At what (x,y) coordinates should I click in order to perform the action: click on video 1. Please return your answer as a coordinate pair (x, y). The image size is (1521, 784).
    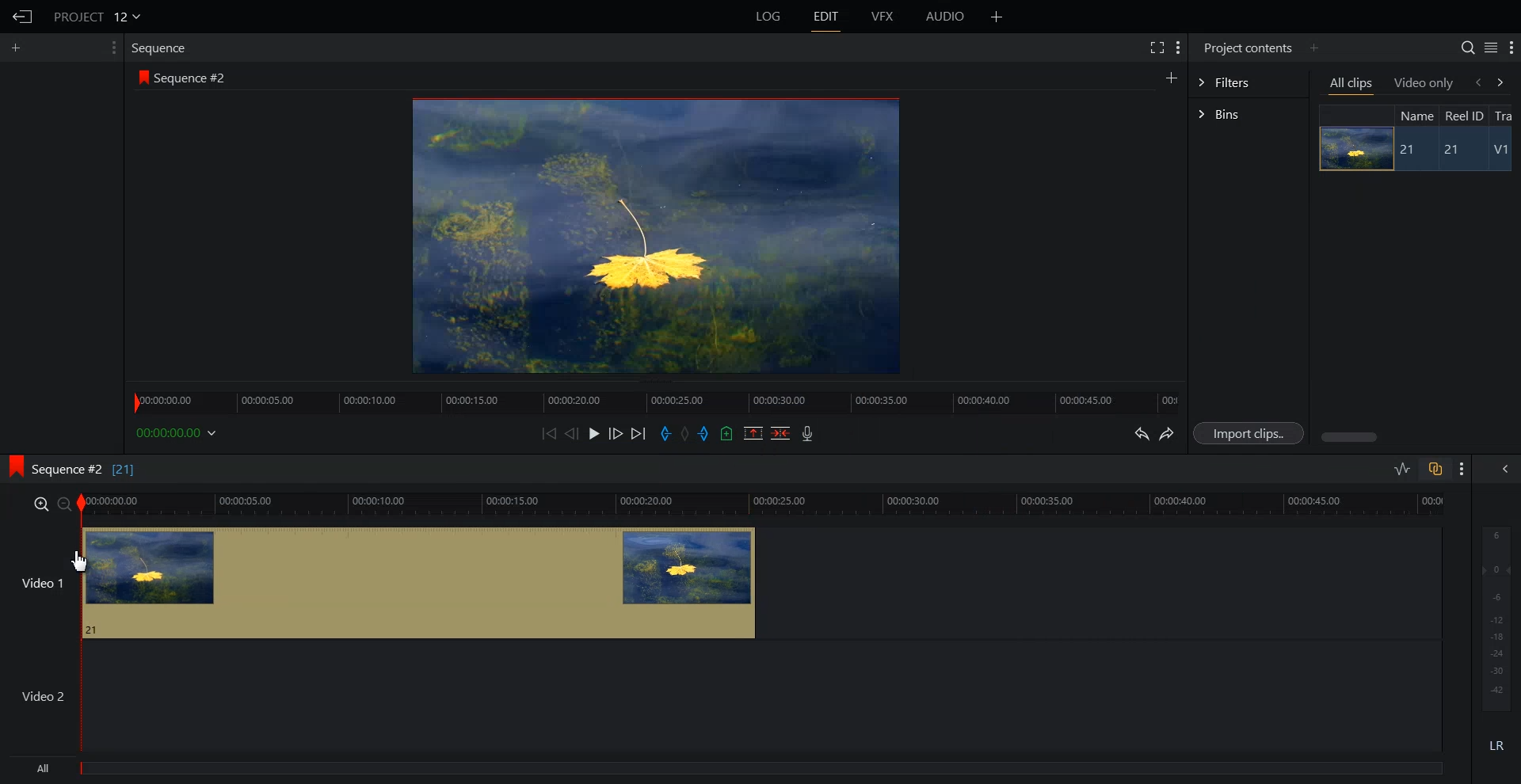
    Looking at the image, I should click on (379, 580).